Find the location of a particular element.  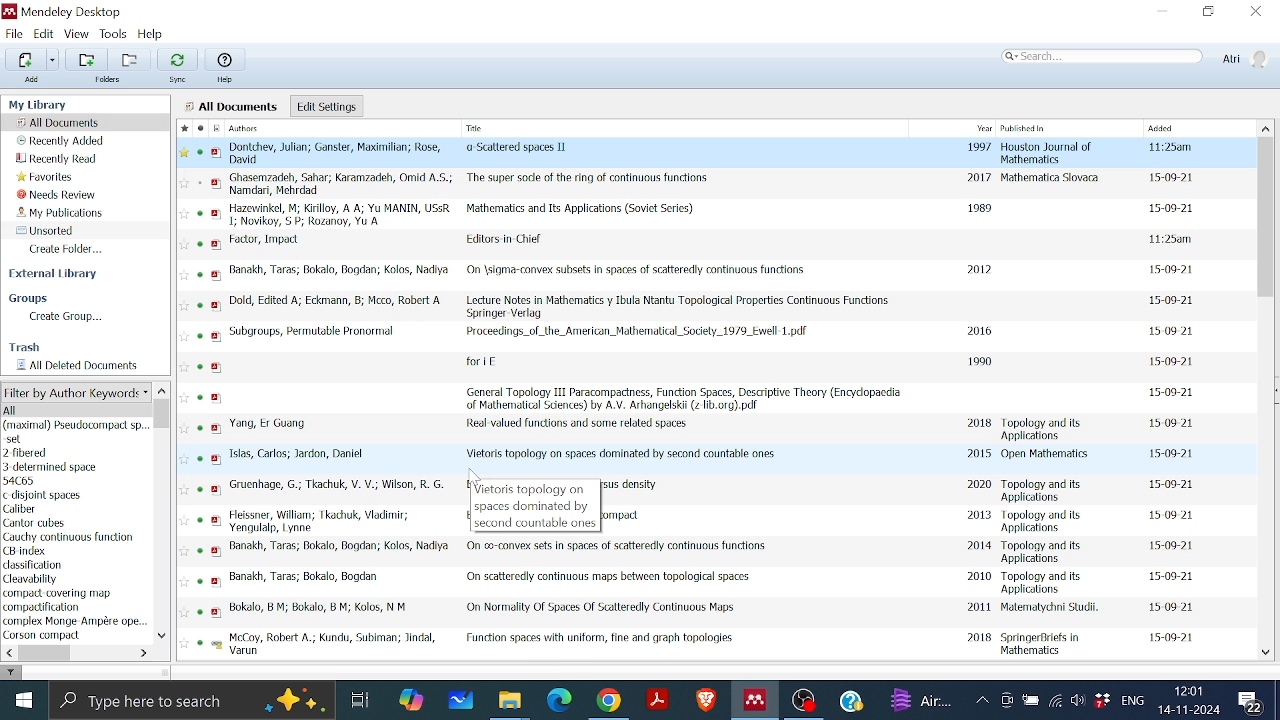

COpilot is located at coordinates (410, 700).